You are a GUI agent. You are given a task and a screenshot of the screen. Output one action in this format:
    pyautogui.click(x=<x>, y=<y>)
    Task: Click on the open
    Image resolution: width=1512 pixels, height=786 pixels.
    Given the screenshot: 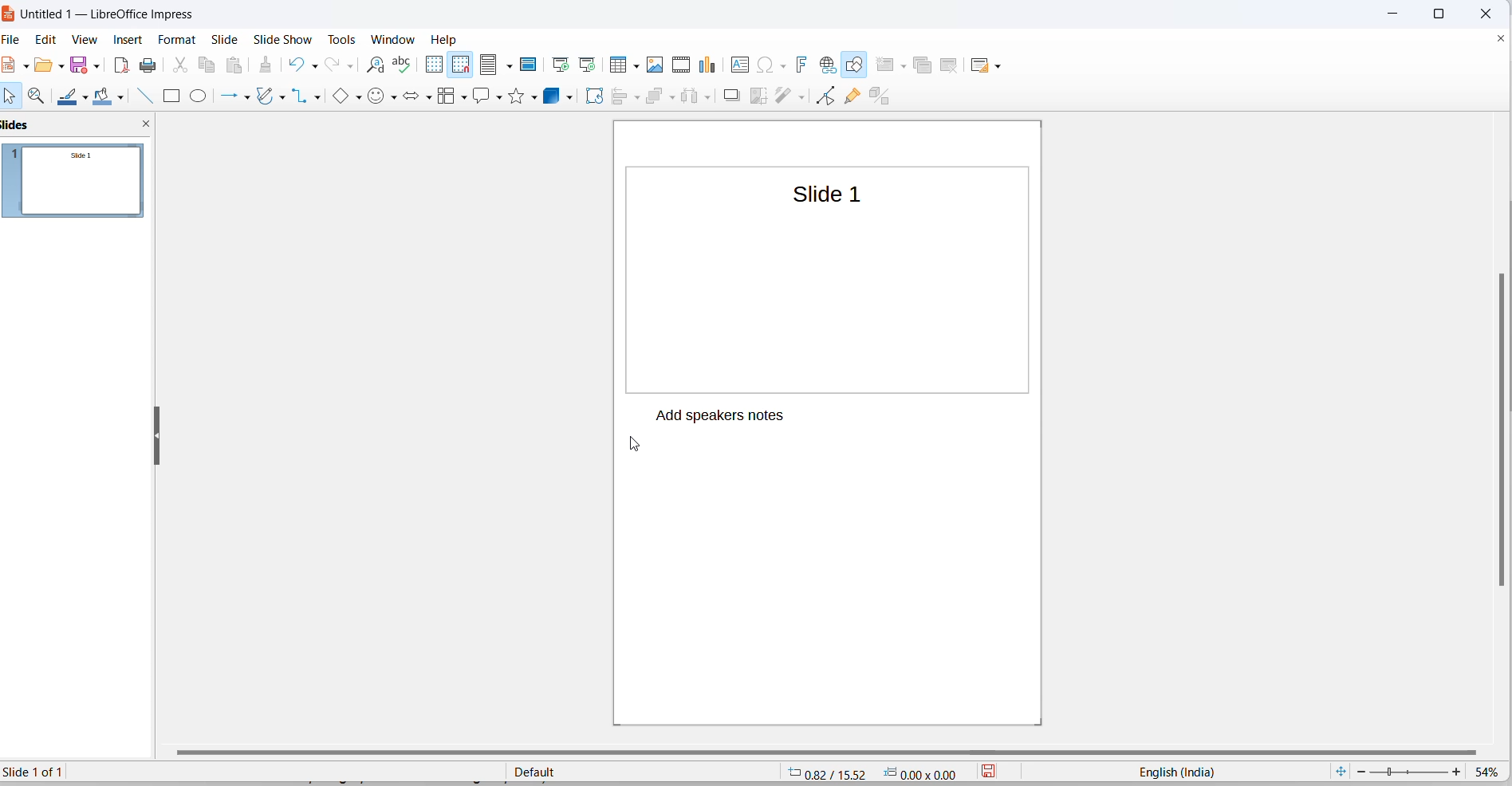 What is the action you would take?
    pyautogui.click(x=42, y=69)
    